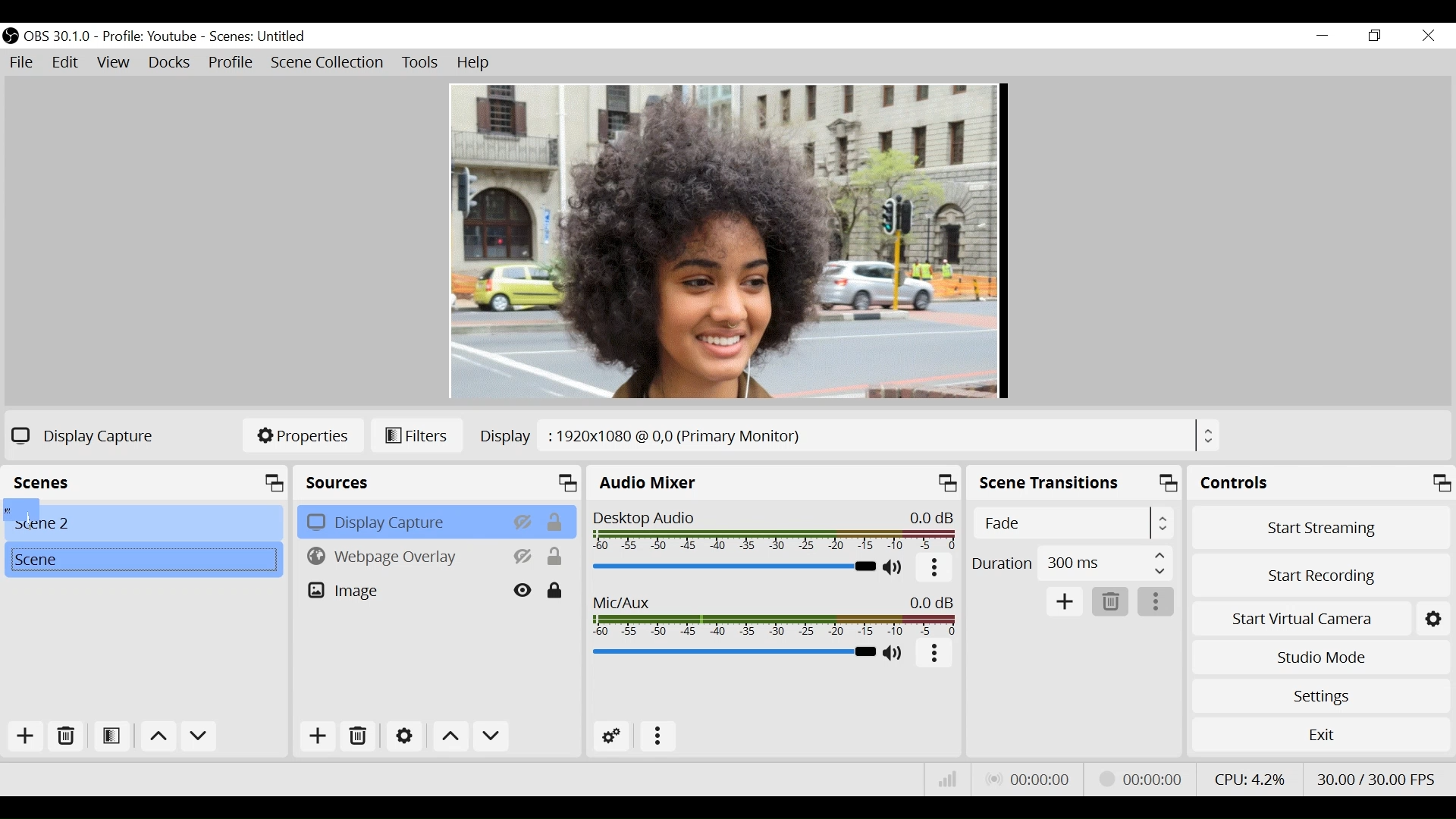 The height and width of the screenshot is (819, 1456). I want to click on Scene, so click(143, 560).